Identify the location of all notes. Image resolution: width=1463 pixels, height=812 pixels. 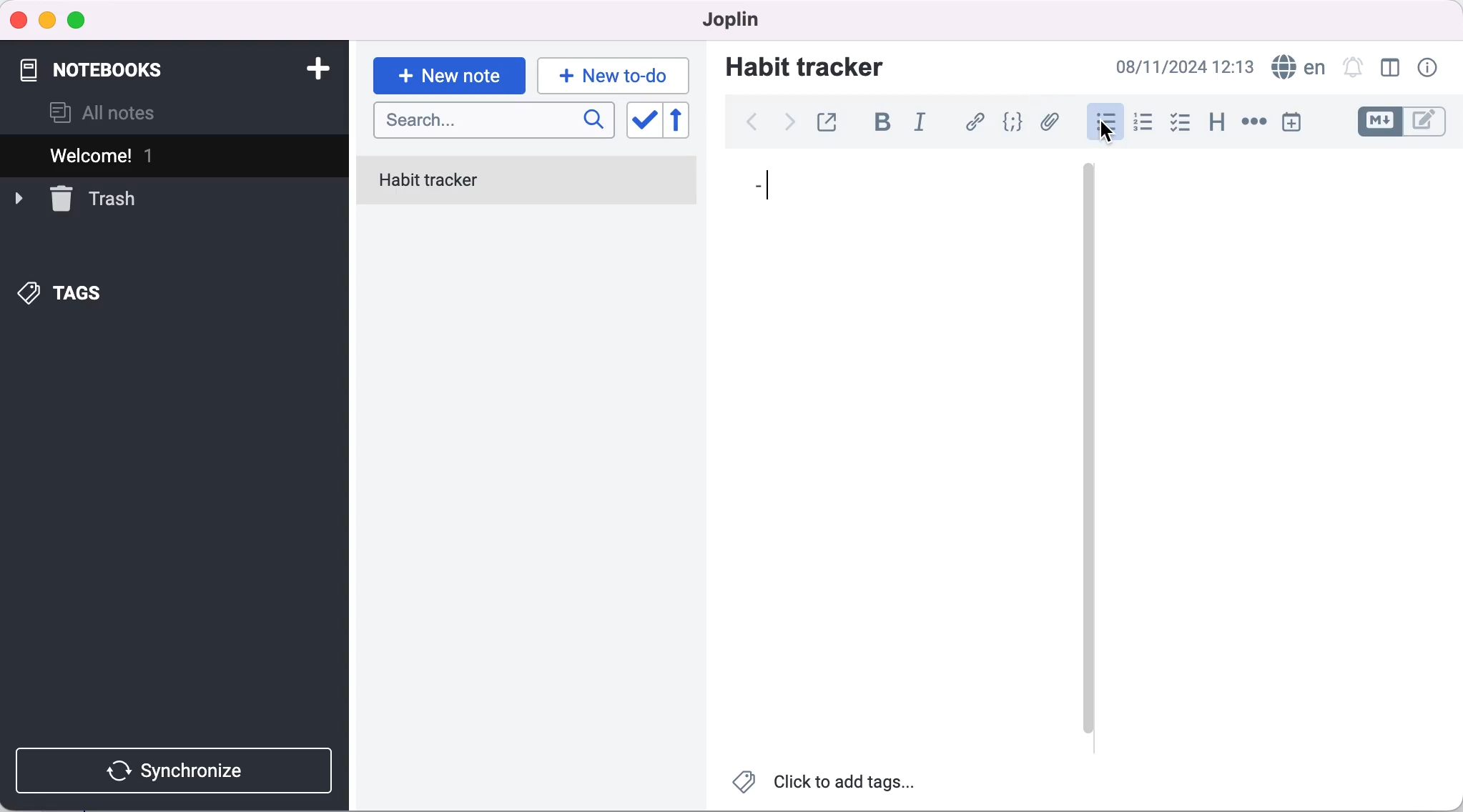
(103, 113).